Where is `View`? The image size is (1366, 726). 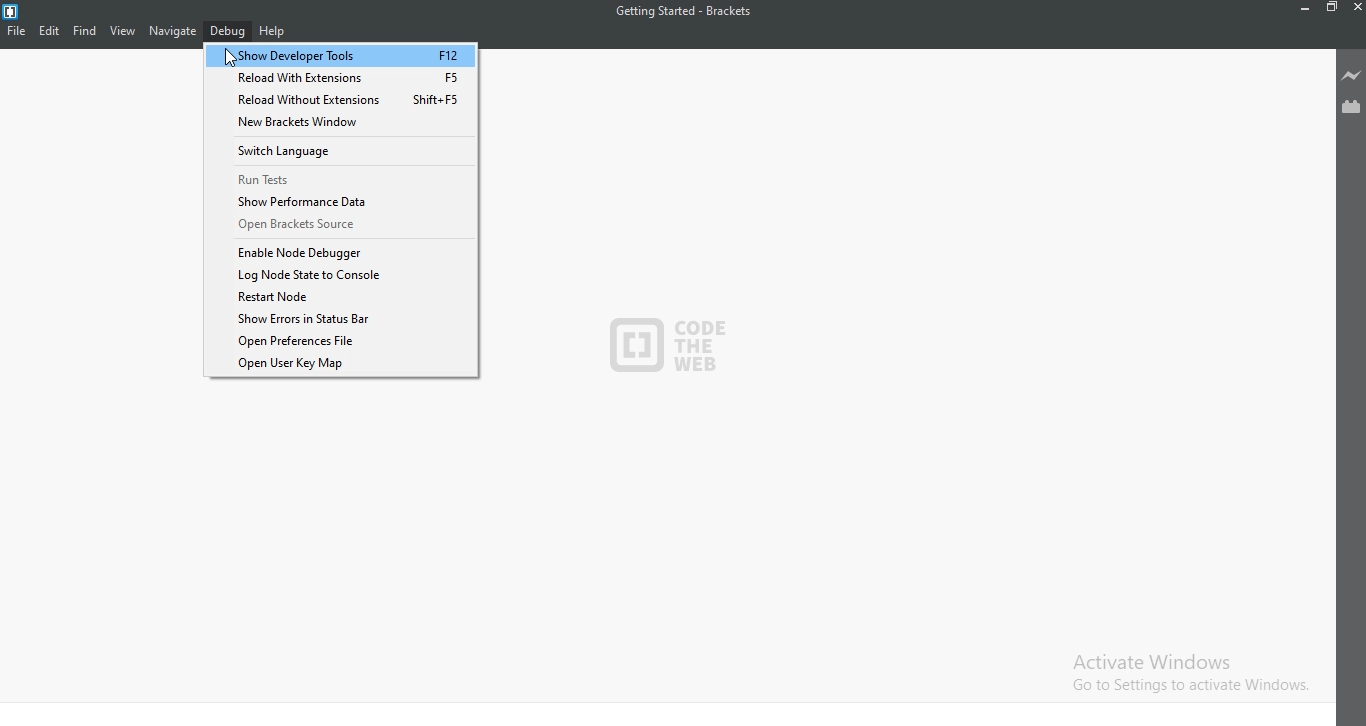 View is located at coordinates (124, 31).